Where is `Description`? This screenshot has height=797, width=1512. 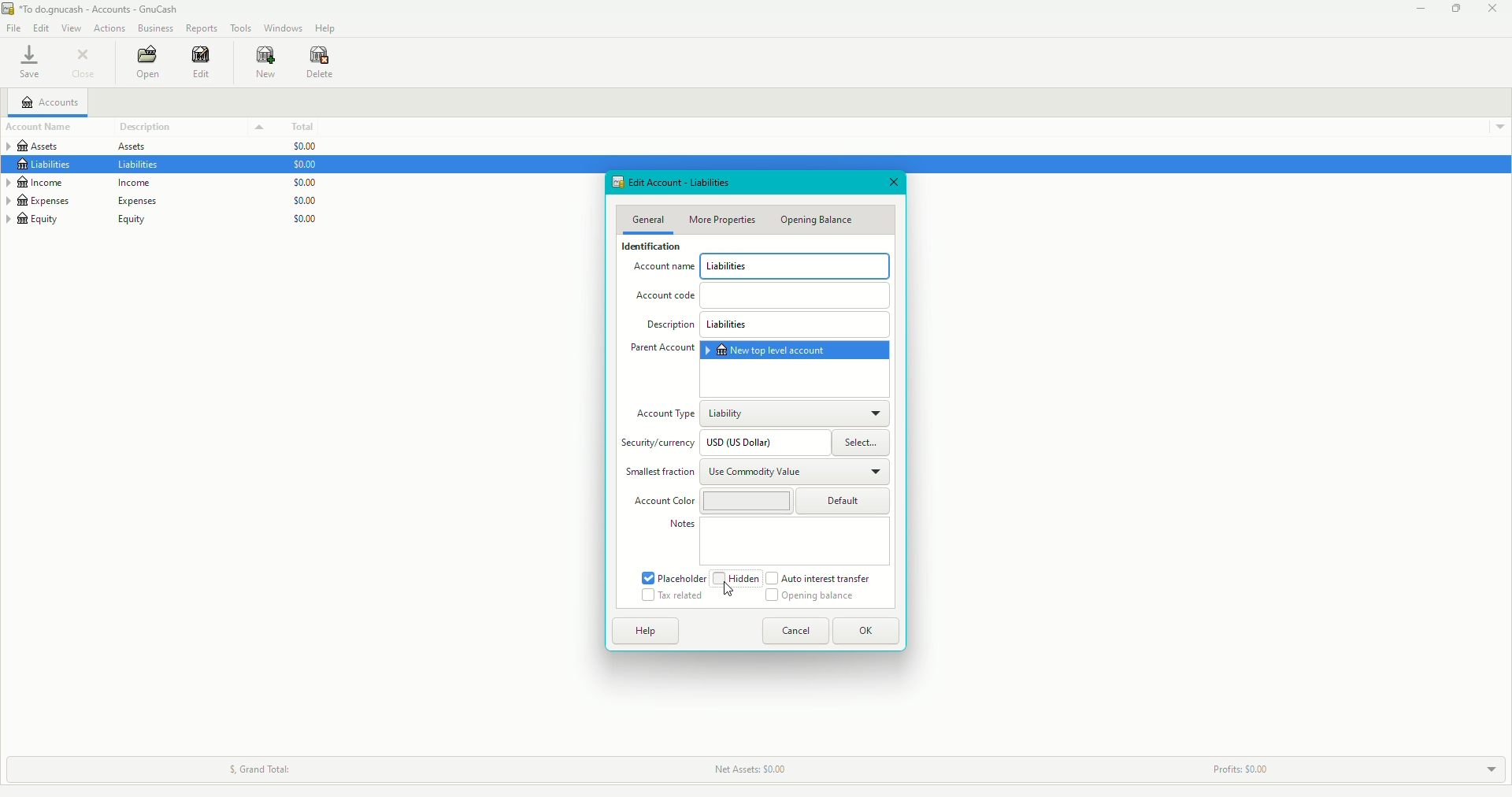 Description is located at coordinates (671, 328).